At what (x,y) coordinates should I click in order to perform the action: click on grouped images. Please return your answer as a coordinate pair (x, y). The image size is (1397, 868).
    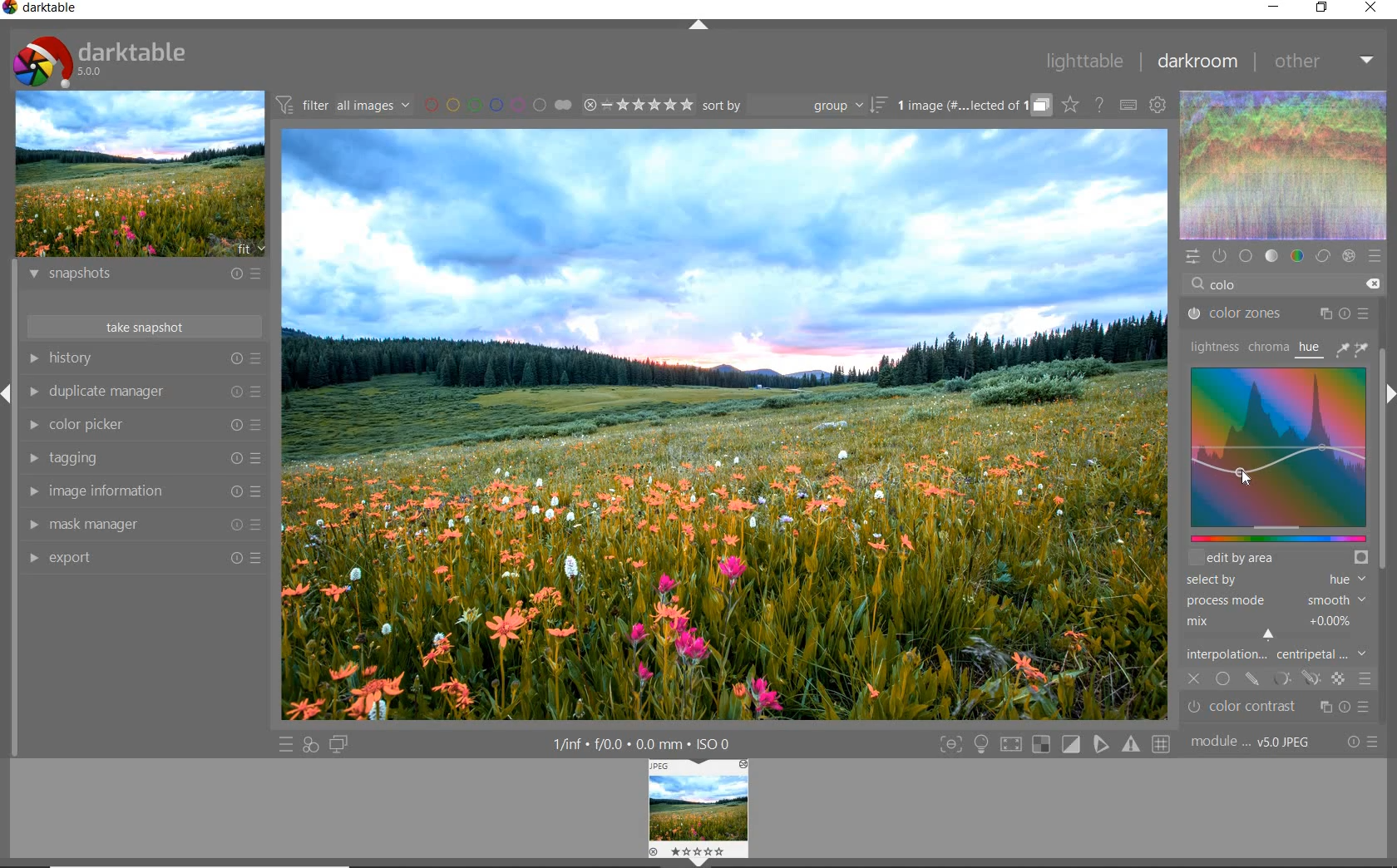
    Looking at the image, I should click on (972, 106).